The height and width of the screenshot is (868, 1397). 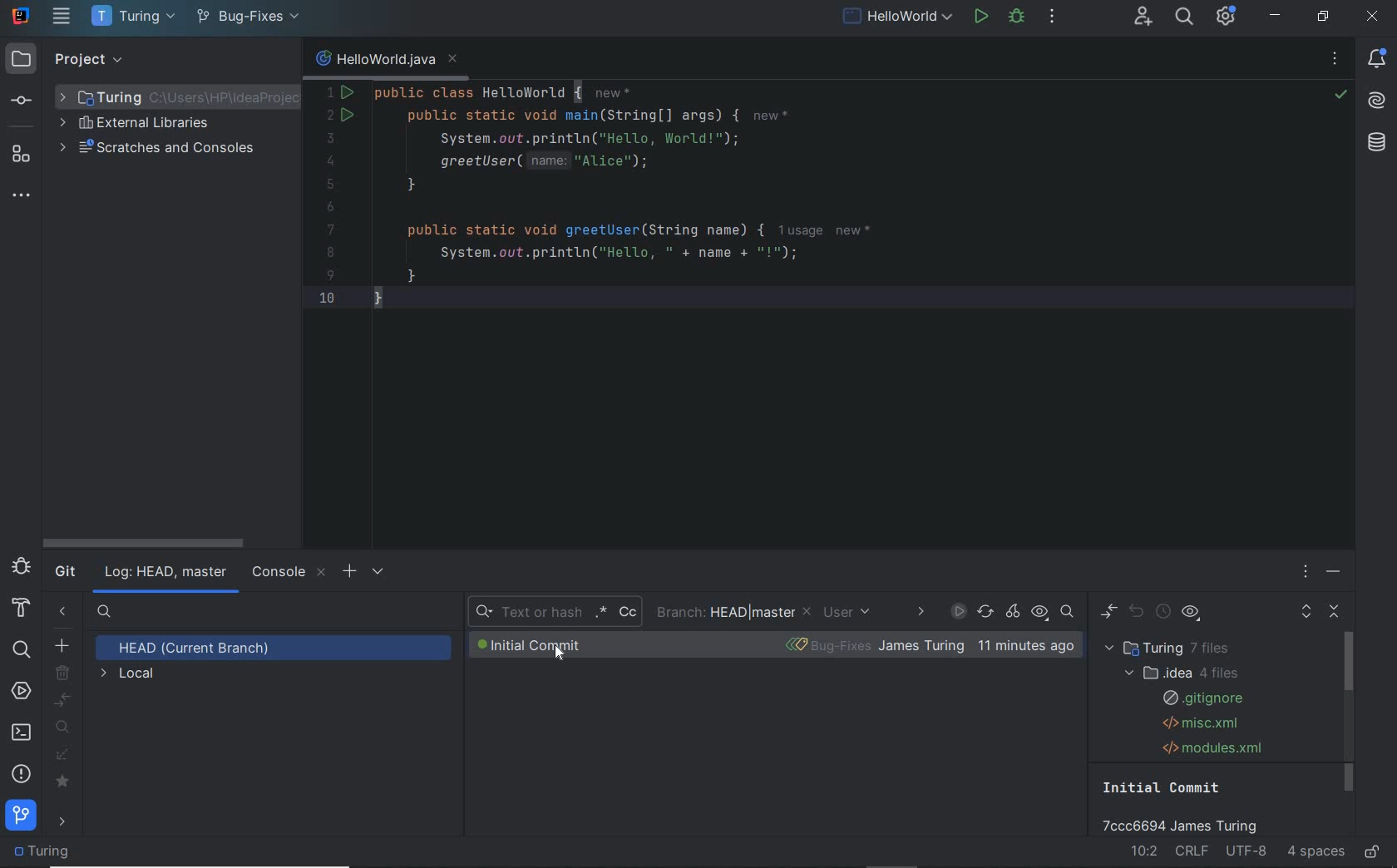 I want to click on DATE, so click(x=920, y=613).